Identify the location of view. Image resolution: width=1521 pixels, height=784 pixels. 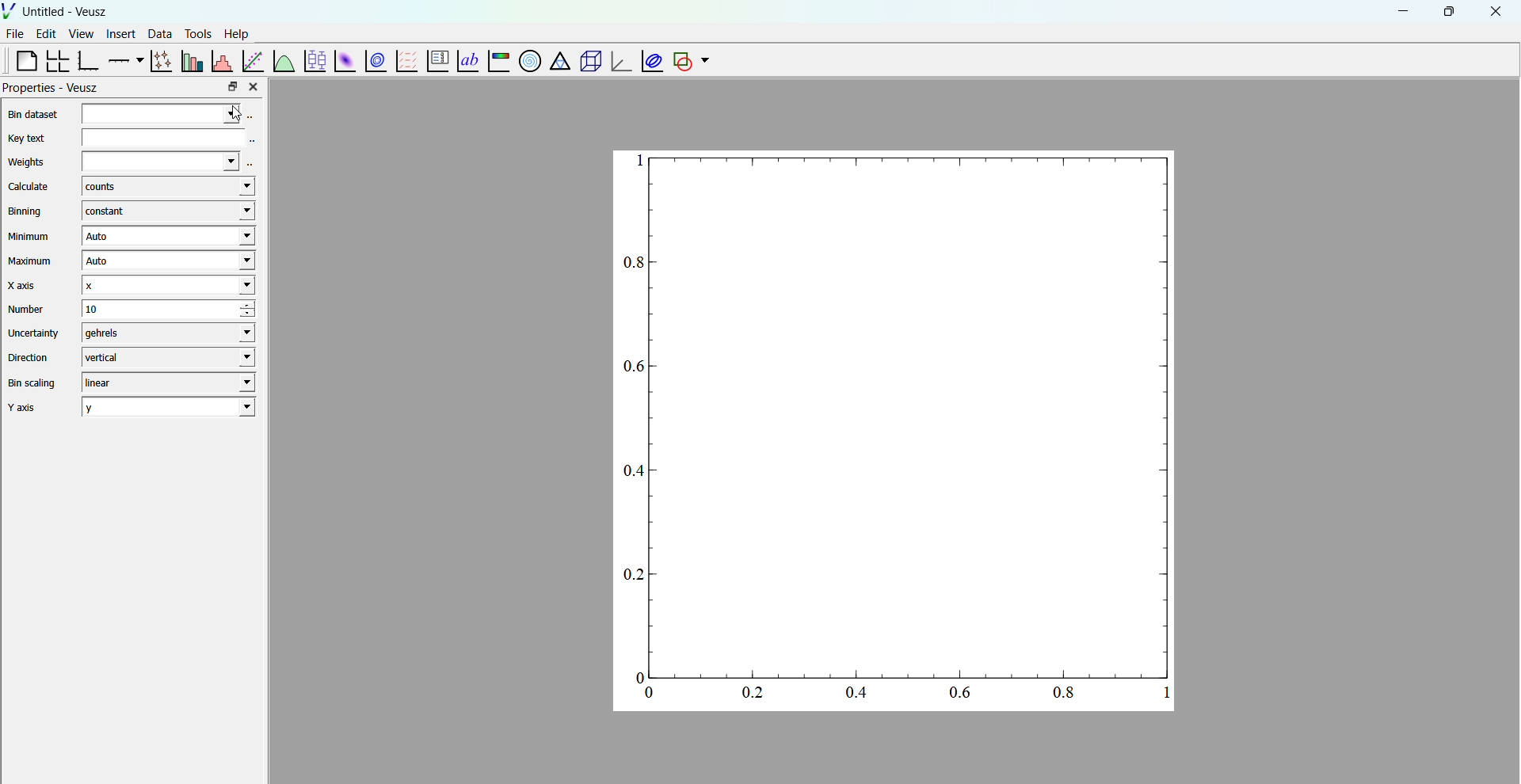
(81, 36).